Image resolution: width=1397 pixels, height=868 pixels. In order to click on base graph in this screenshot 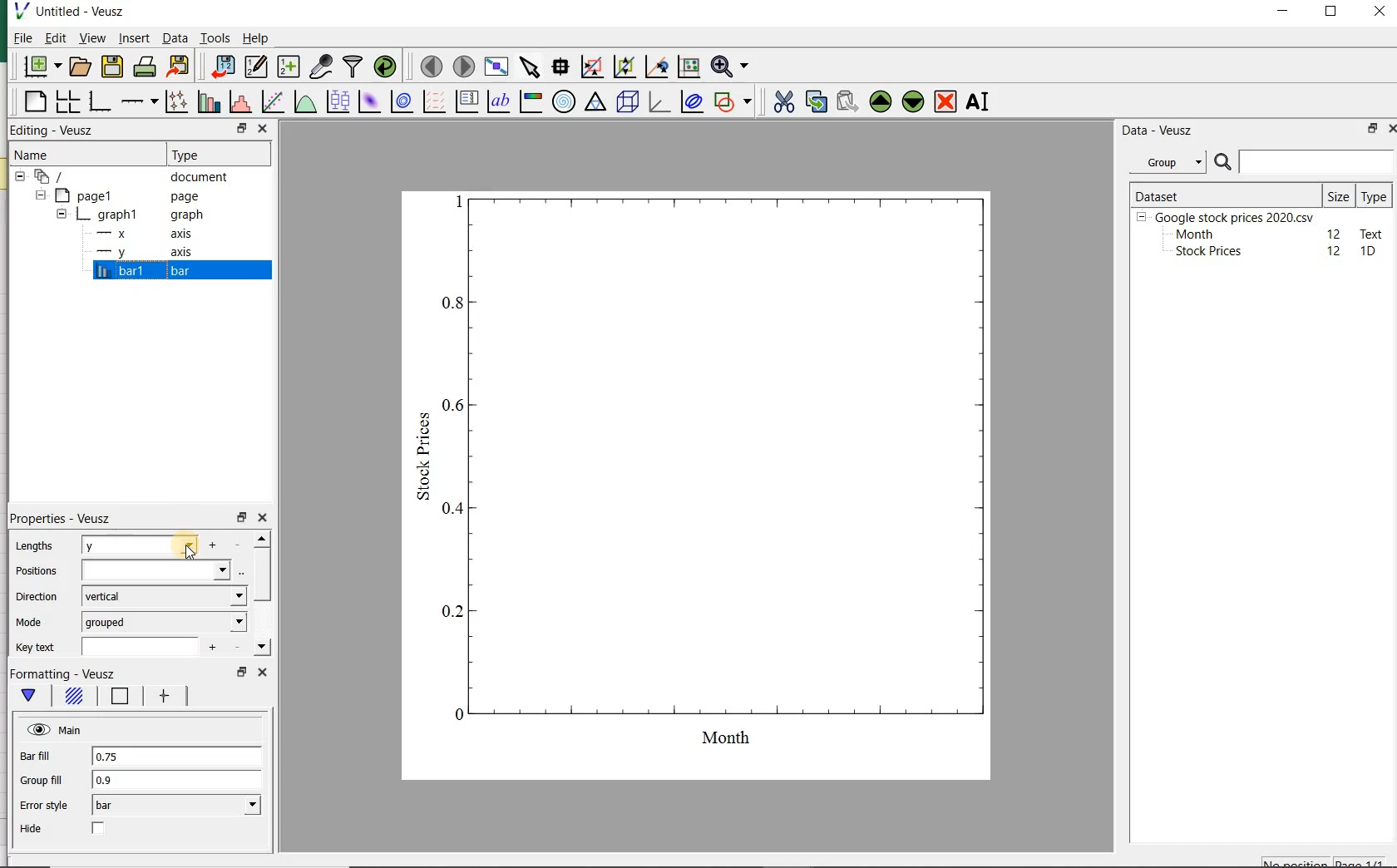, I will do `click(99, 102)`.